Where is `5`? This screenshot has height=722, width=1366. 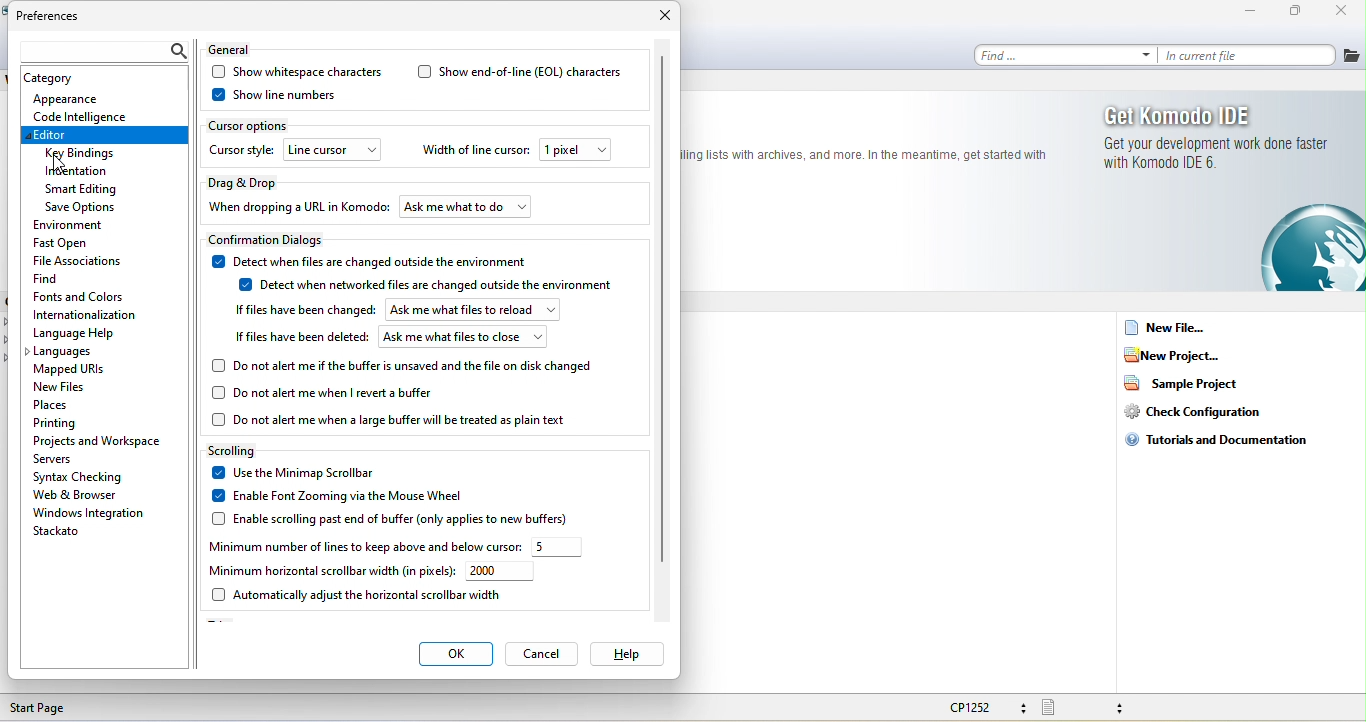
5 is located at coordinates (559, 547).